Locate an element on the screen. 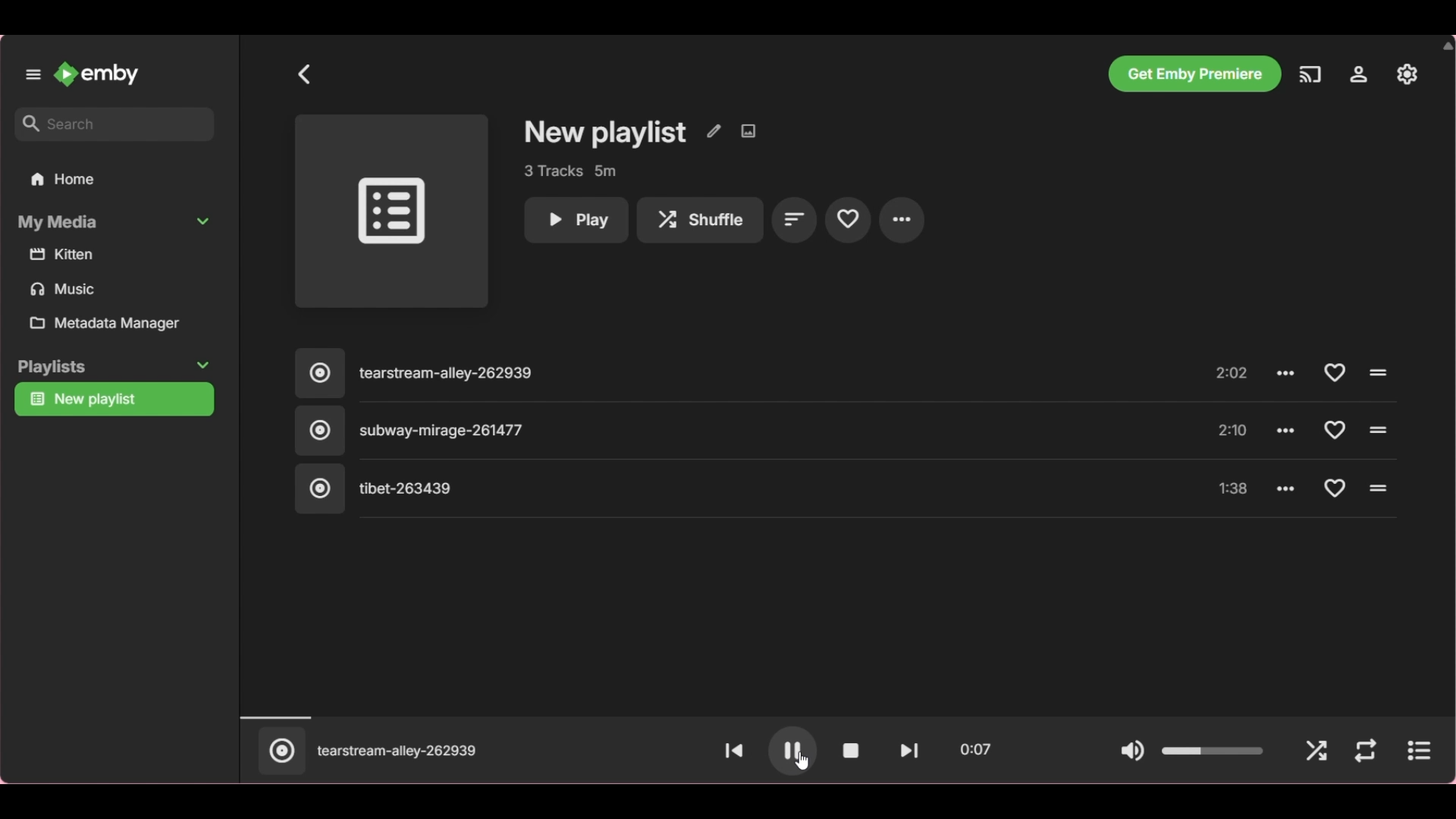  Type in search is located at coordinates (114, 124).